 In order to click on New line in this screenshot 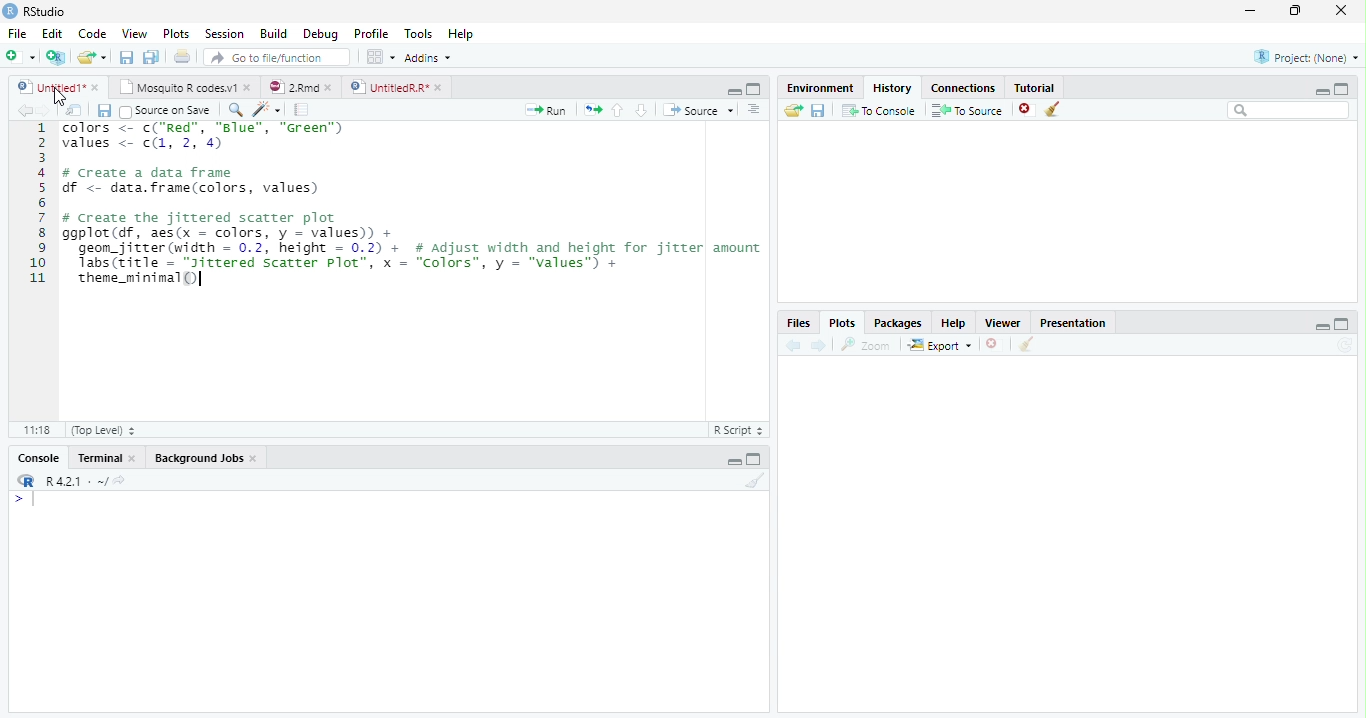, I will do `click(24, 499)`.